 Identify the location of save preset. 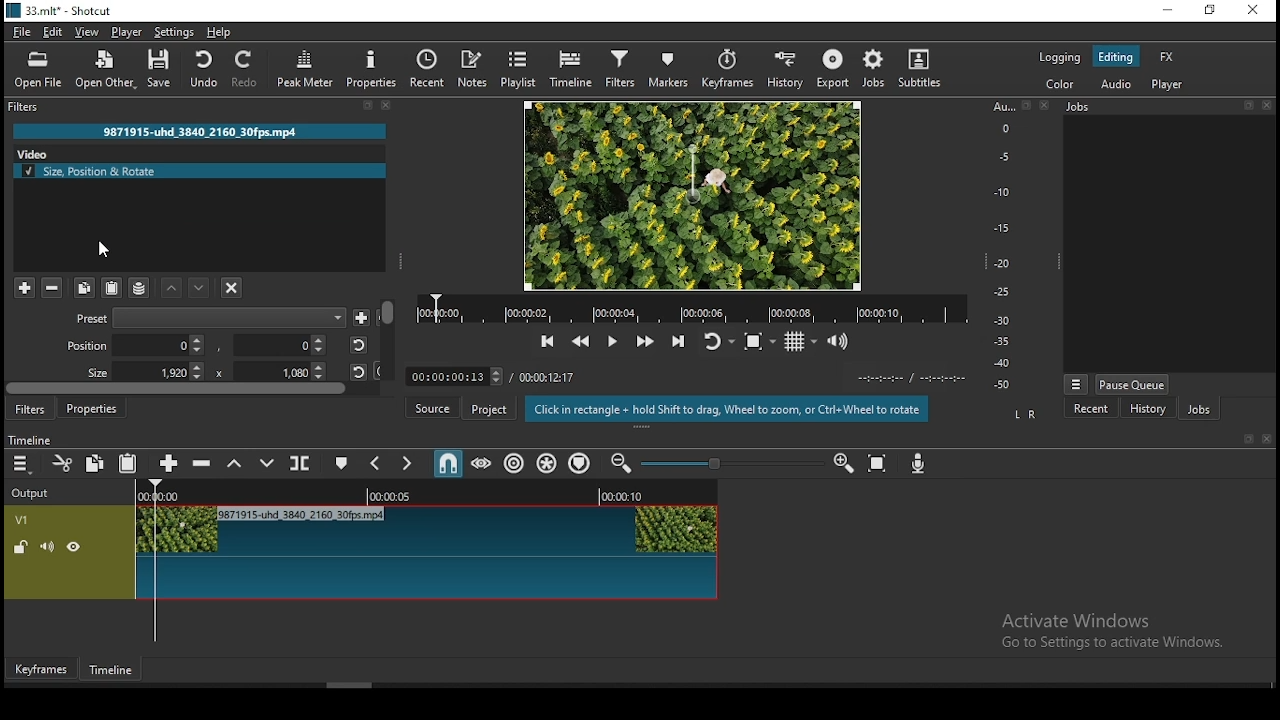
(361, 315).